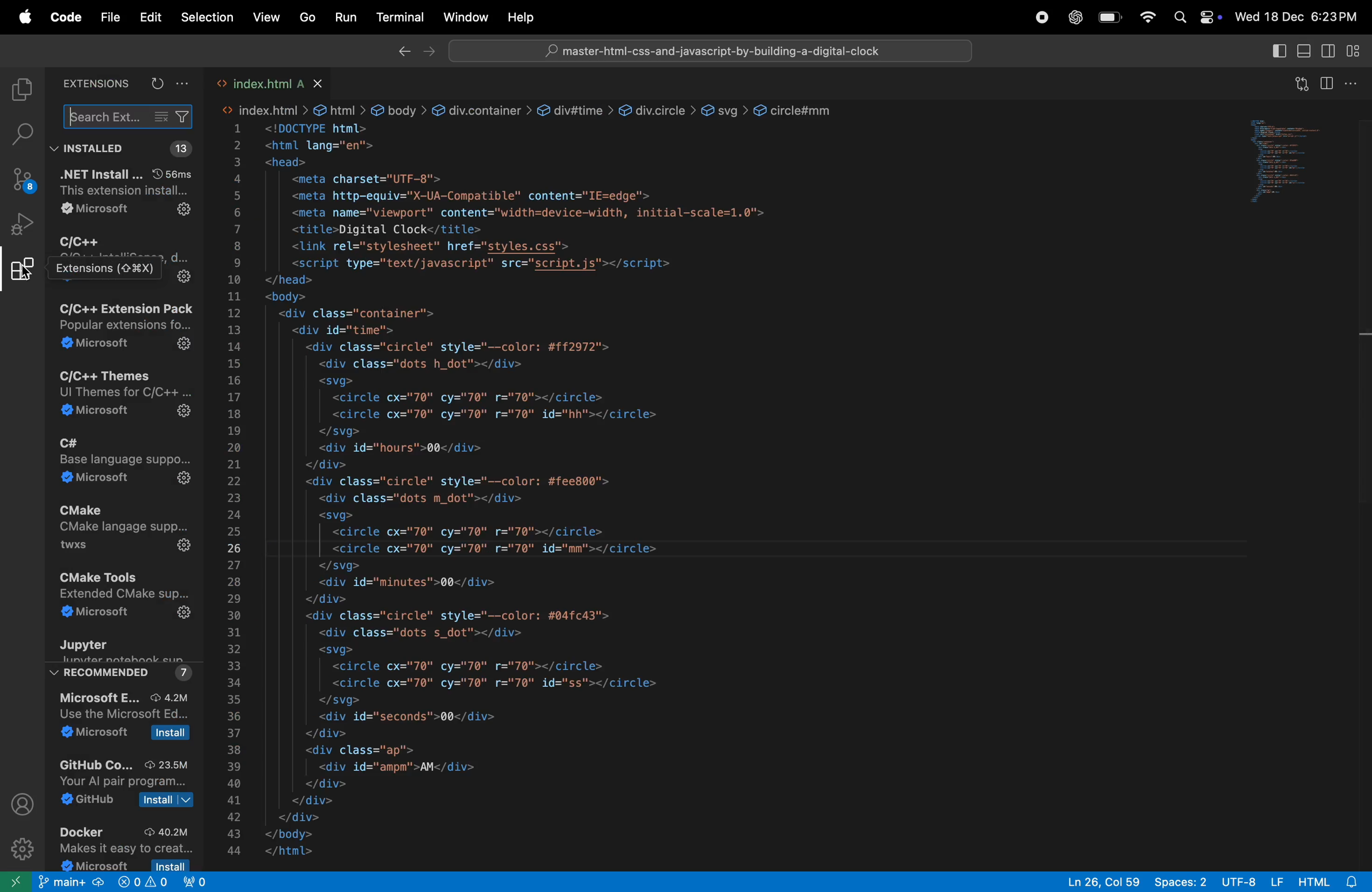 Image resolution: width=1372 pixels, height=892 pixels. What do you see at coordinates (96, 149) in the screenshot?
I see `installed` at bounding box center [96, 149].